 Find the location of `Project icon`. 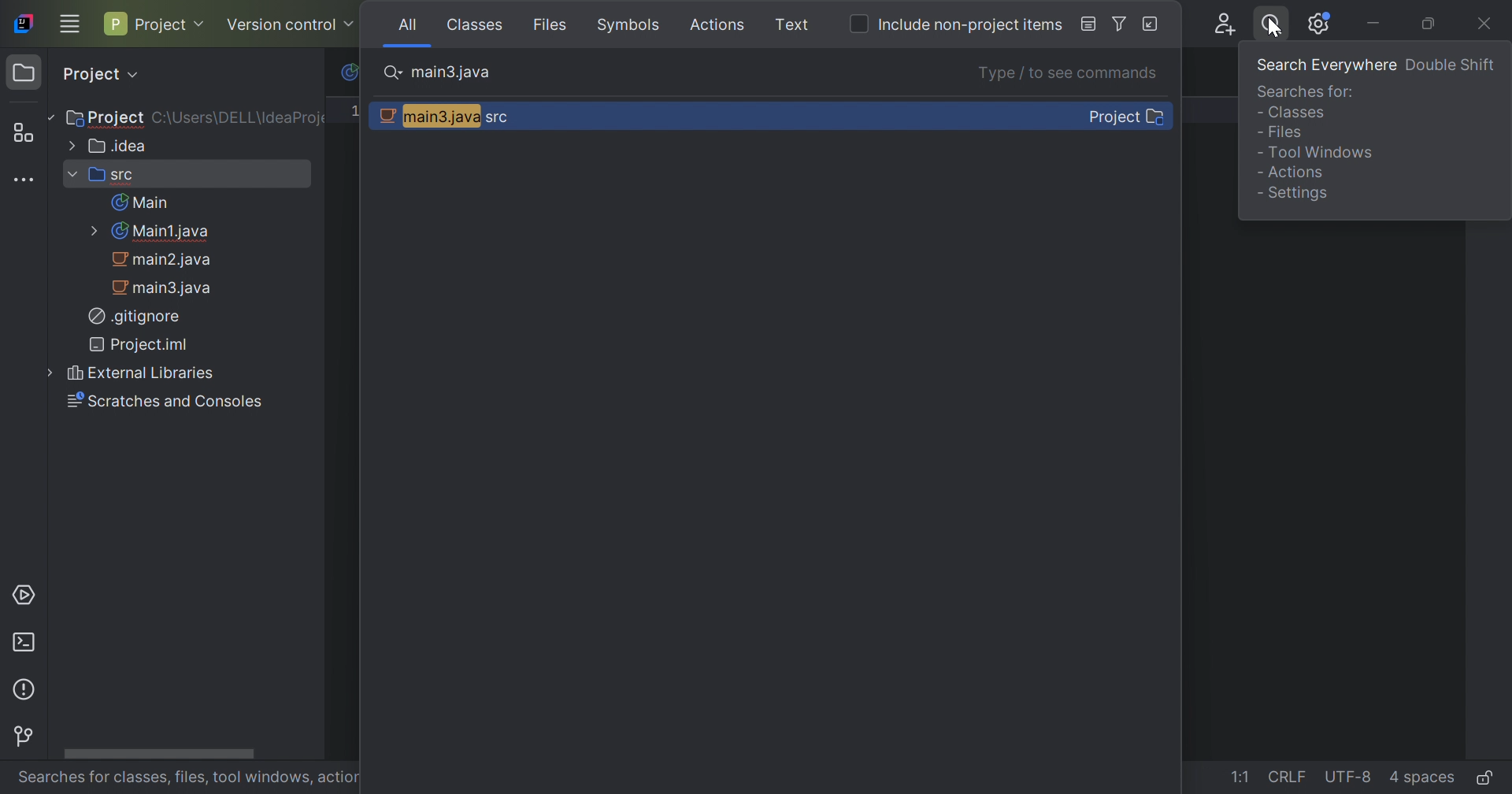

Project icon is located at coordinates (24, 76).